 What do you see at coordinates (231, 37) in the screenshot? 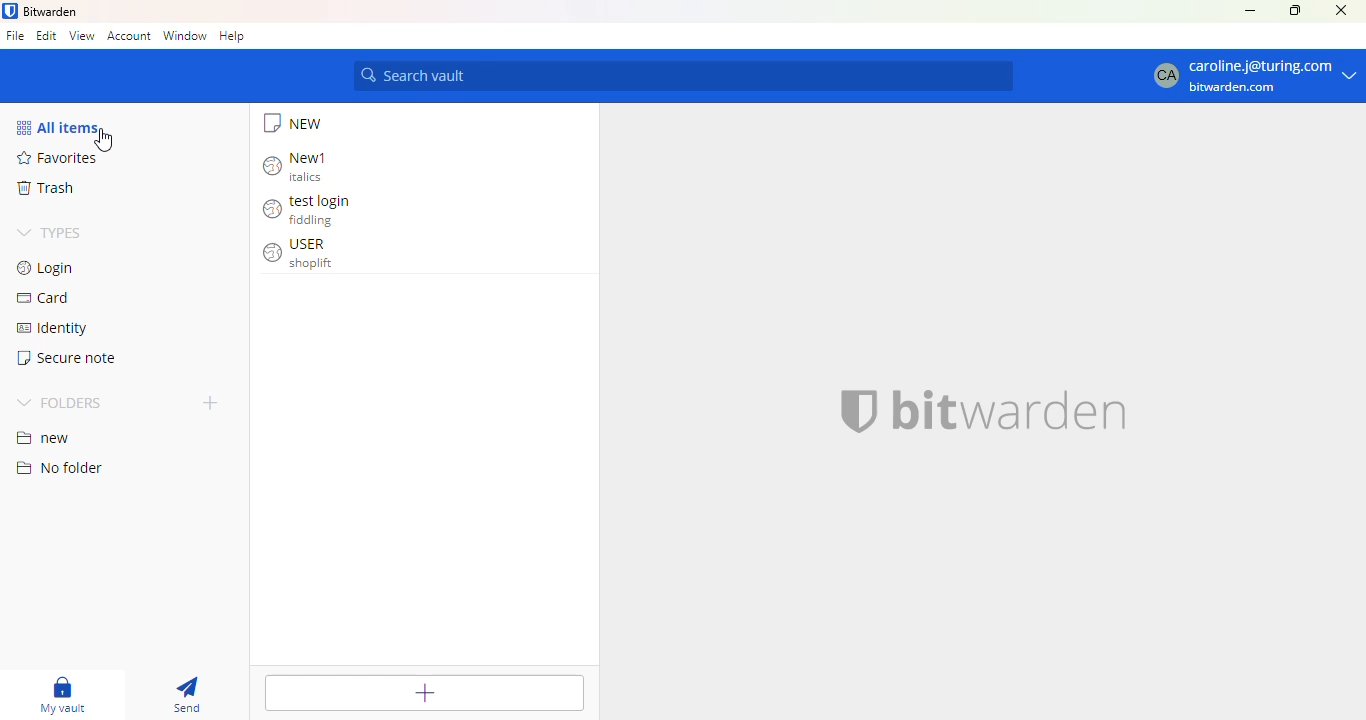
I see `help` at bounding box center [231, 37].